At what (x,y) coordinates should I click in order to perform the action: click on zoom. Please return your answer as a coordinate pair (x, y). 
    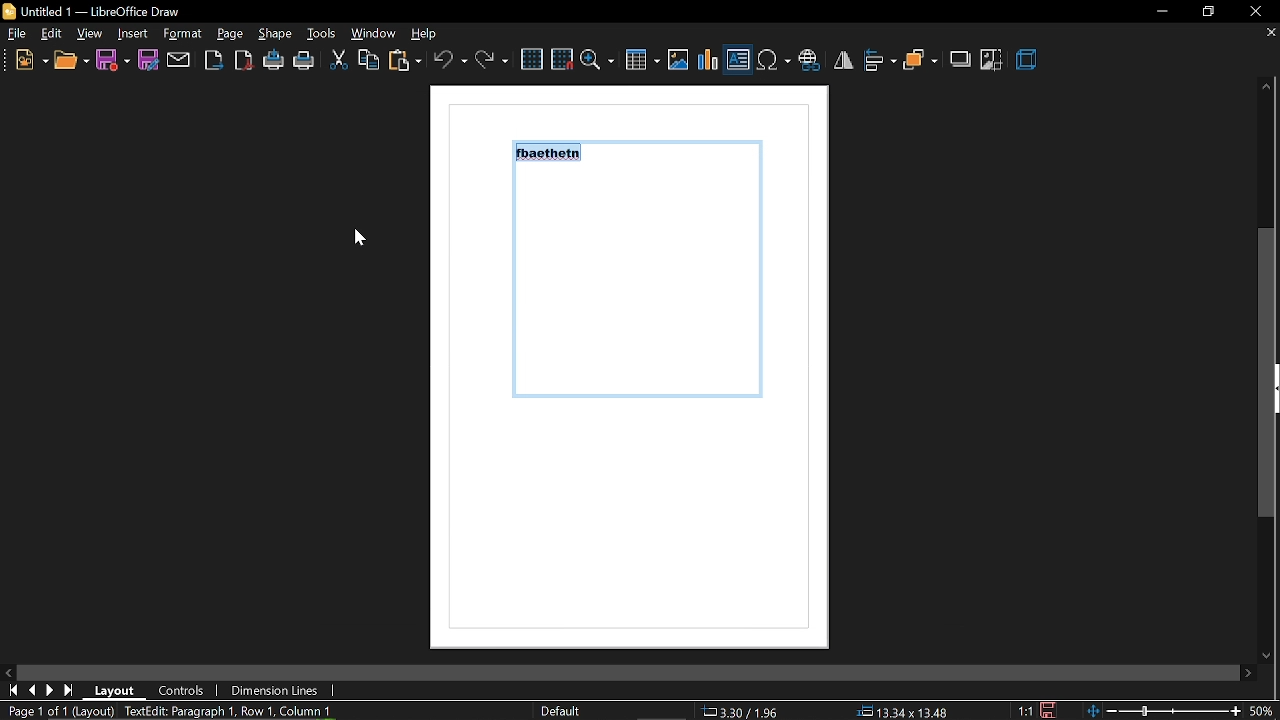
    Looking at the image, I should click on (598, 59).